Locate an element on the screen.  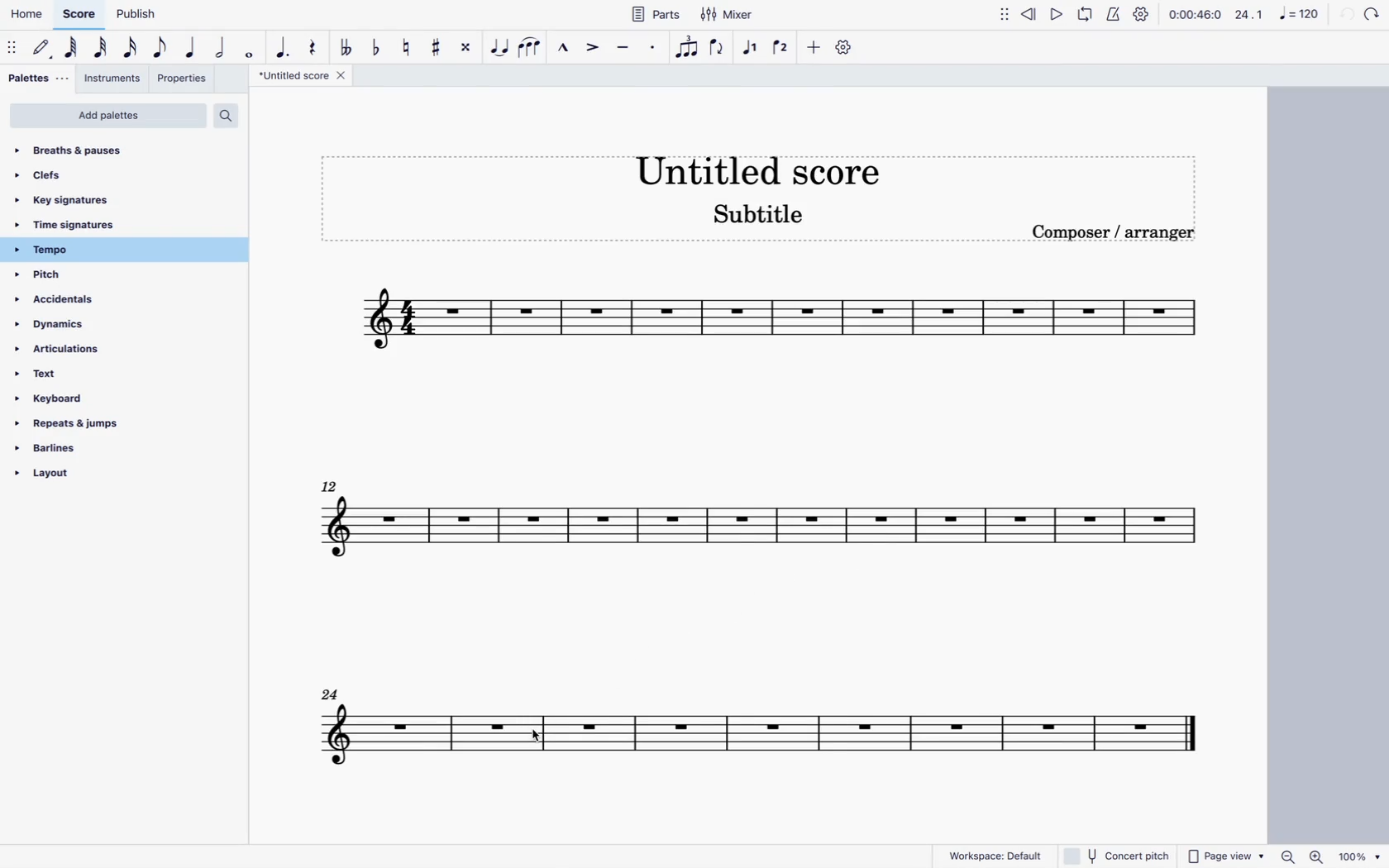
search is located at coordinates (231, 117).